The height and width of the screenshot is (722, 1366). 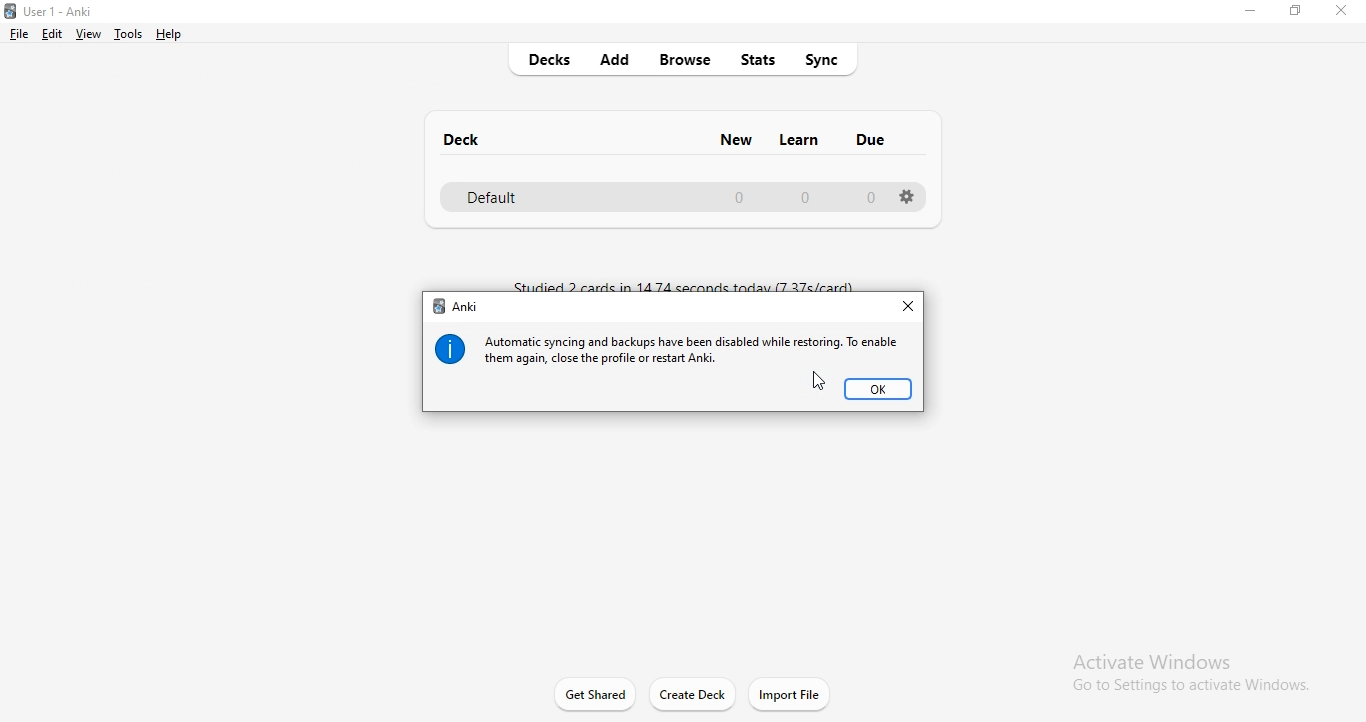 I want to click on restore, so click(x=1298, y=15).